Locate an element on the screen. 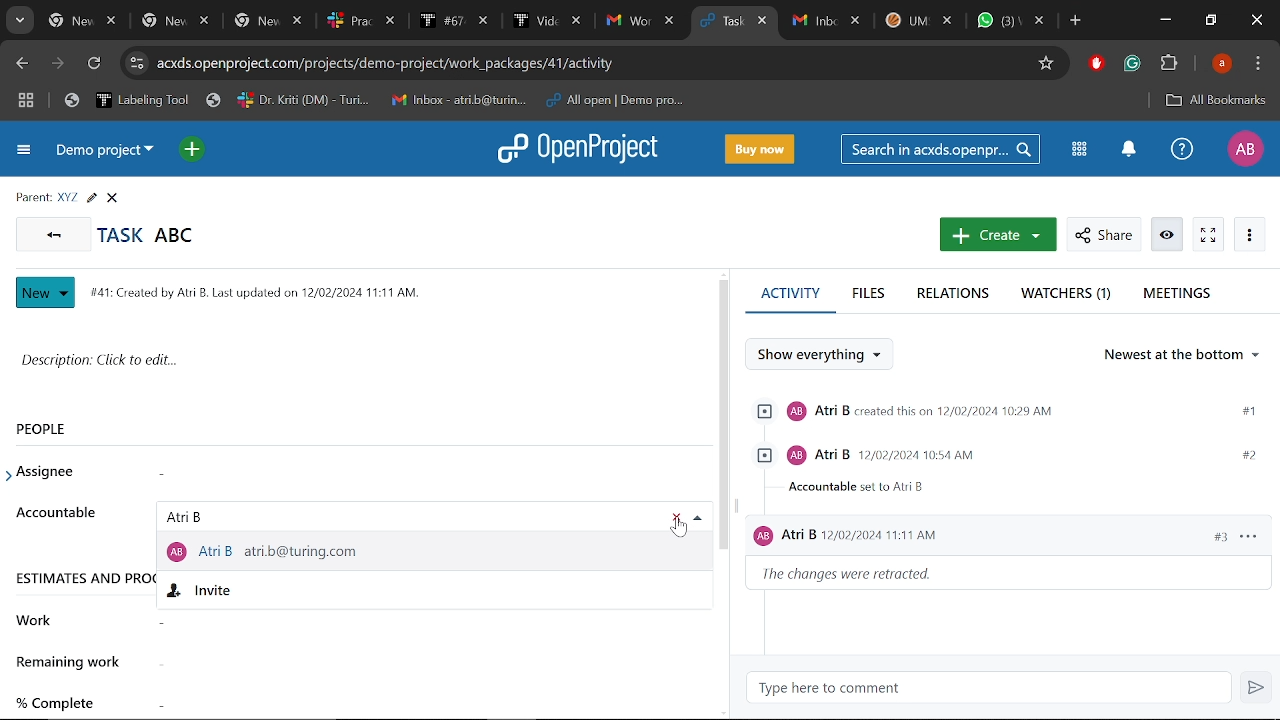 The width and height of the screenshot is (1280, 720). Modules is located at coordinates (1076, 148).